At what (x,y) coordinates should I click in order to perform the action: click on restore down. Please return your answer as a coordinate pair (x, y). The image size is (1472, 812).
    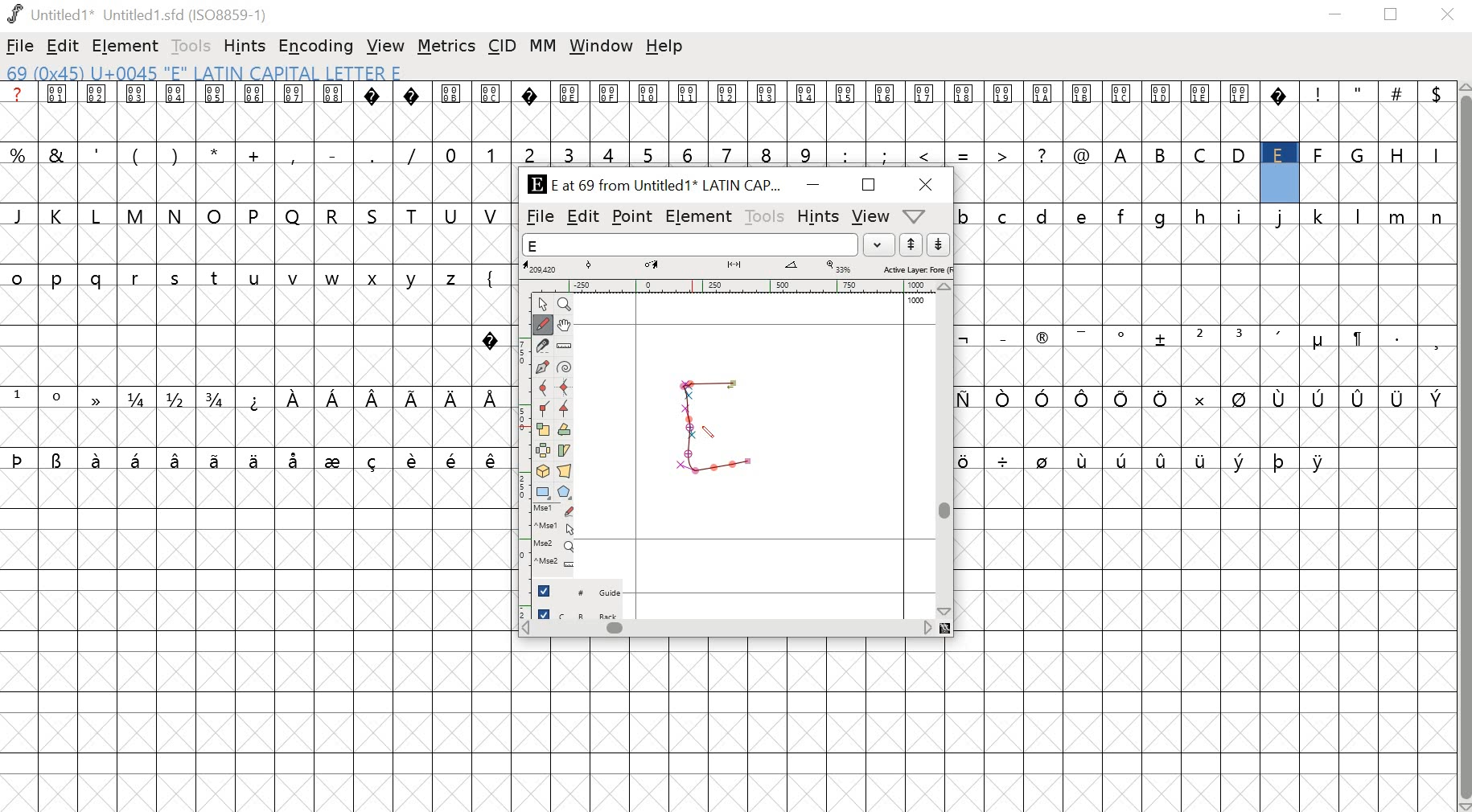
    Looking at the image, I should click on (1392, 15).